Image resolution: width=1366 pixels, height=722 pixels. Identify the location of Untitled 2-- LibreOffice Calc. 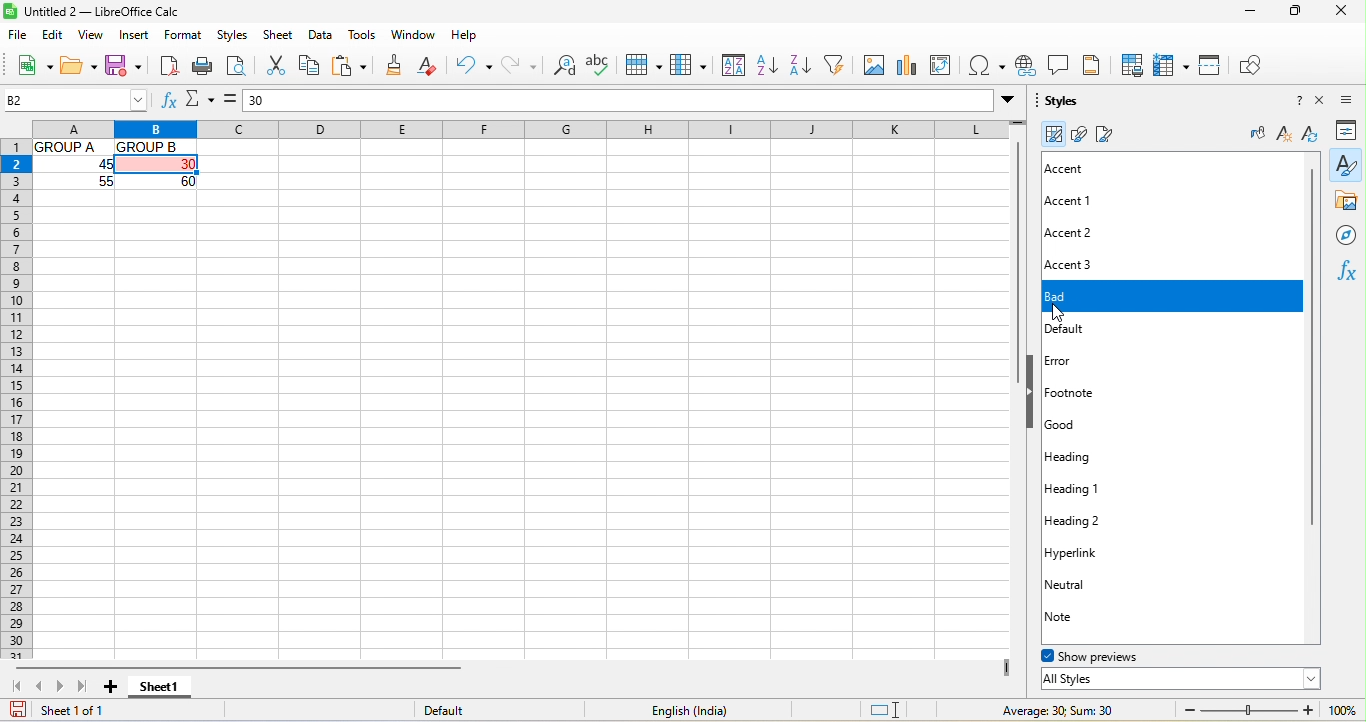
(126, 12).